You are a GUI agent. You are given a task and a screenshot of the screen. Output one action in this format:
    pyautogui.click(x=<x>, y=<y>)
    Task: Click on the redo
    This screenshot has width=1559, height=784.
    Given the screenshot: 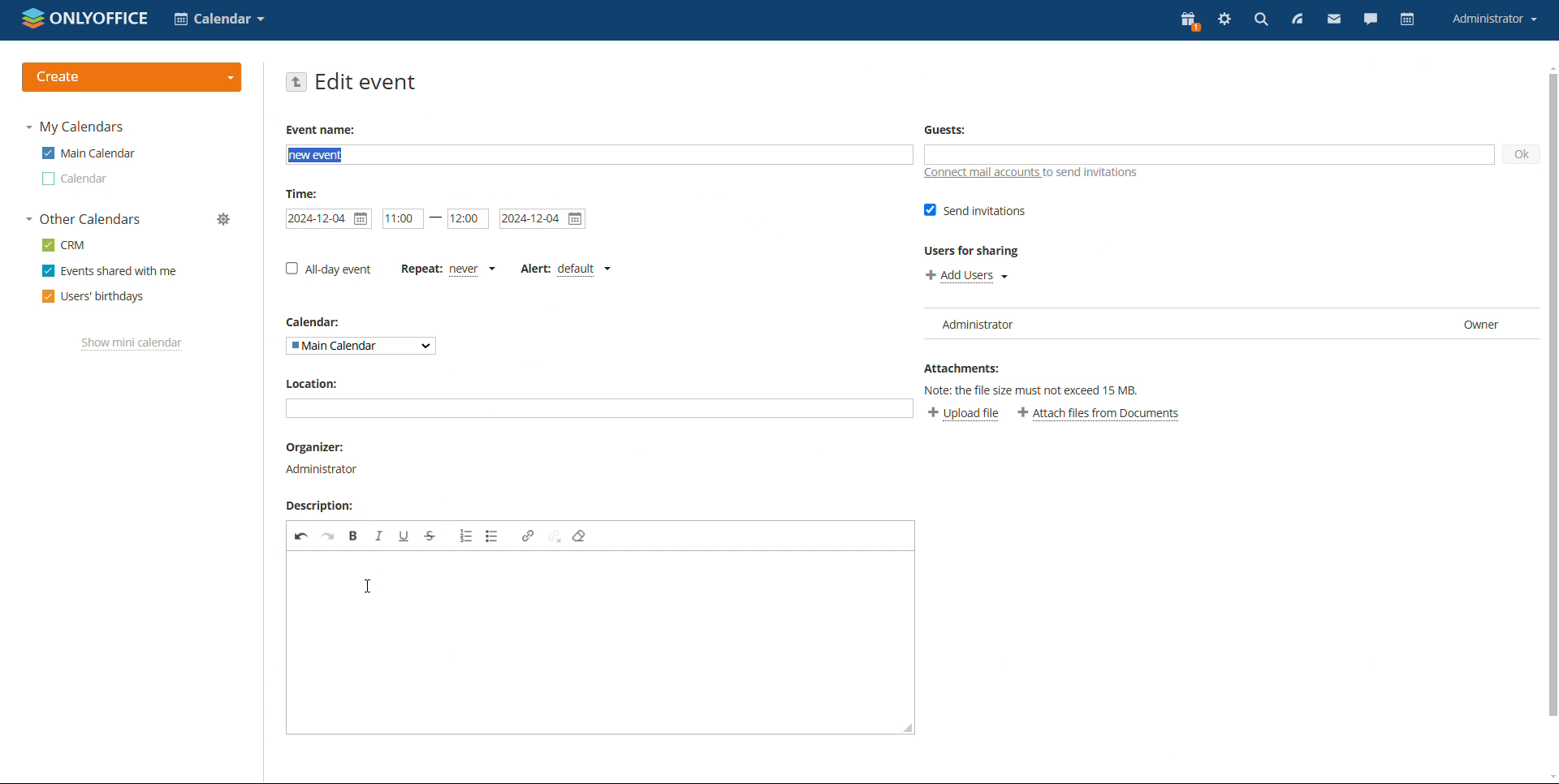 What is the action you would take?
    pyautogui.click(x=328, y=536)
    